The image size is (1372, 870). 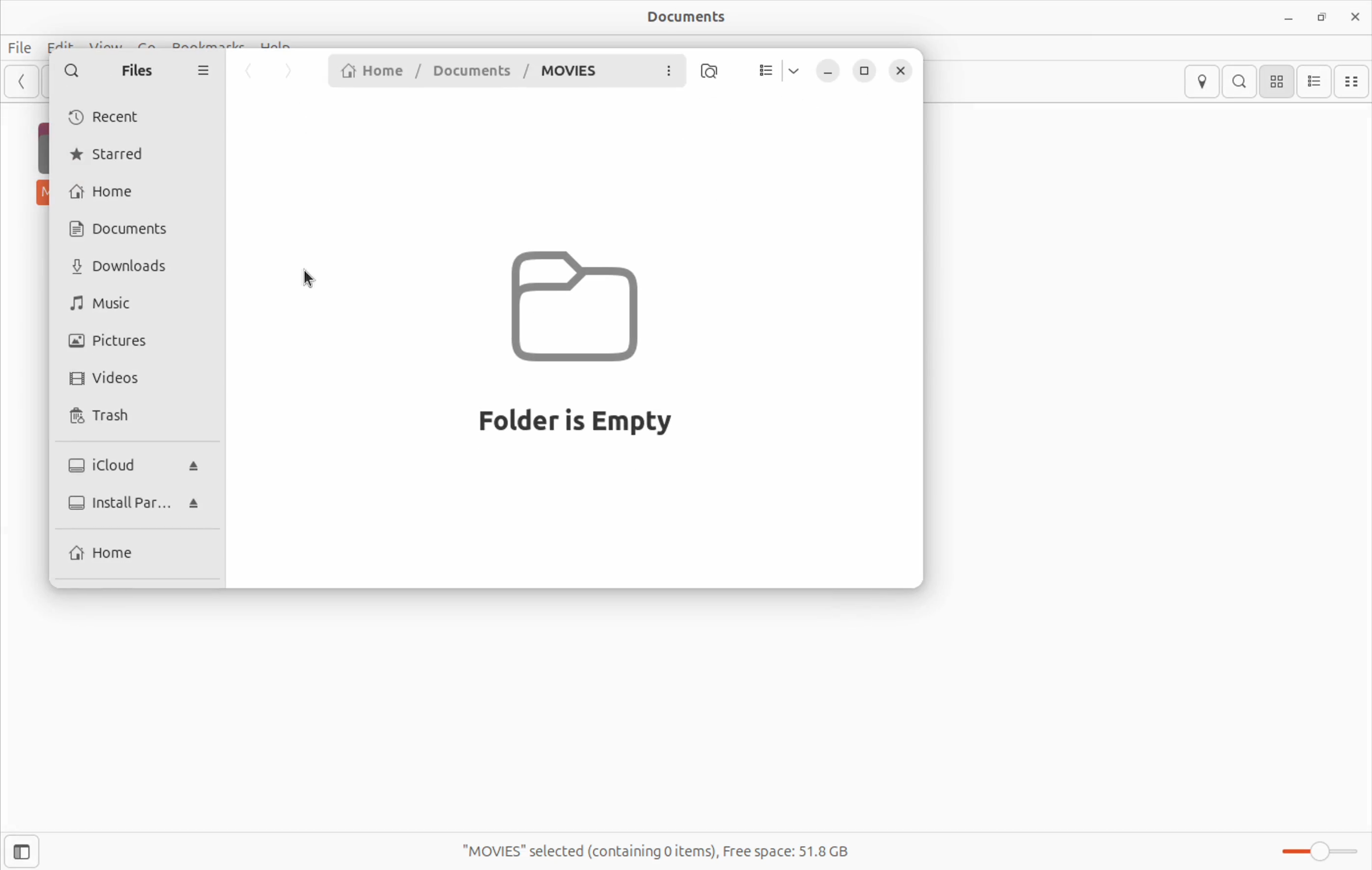 I want to click on Documents, so click(x=133, y=228).